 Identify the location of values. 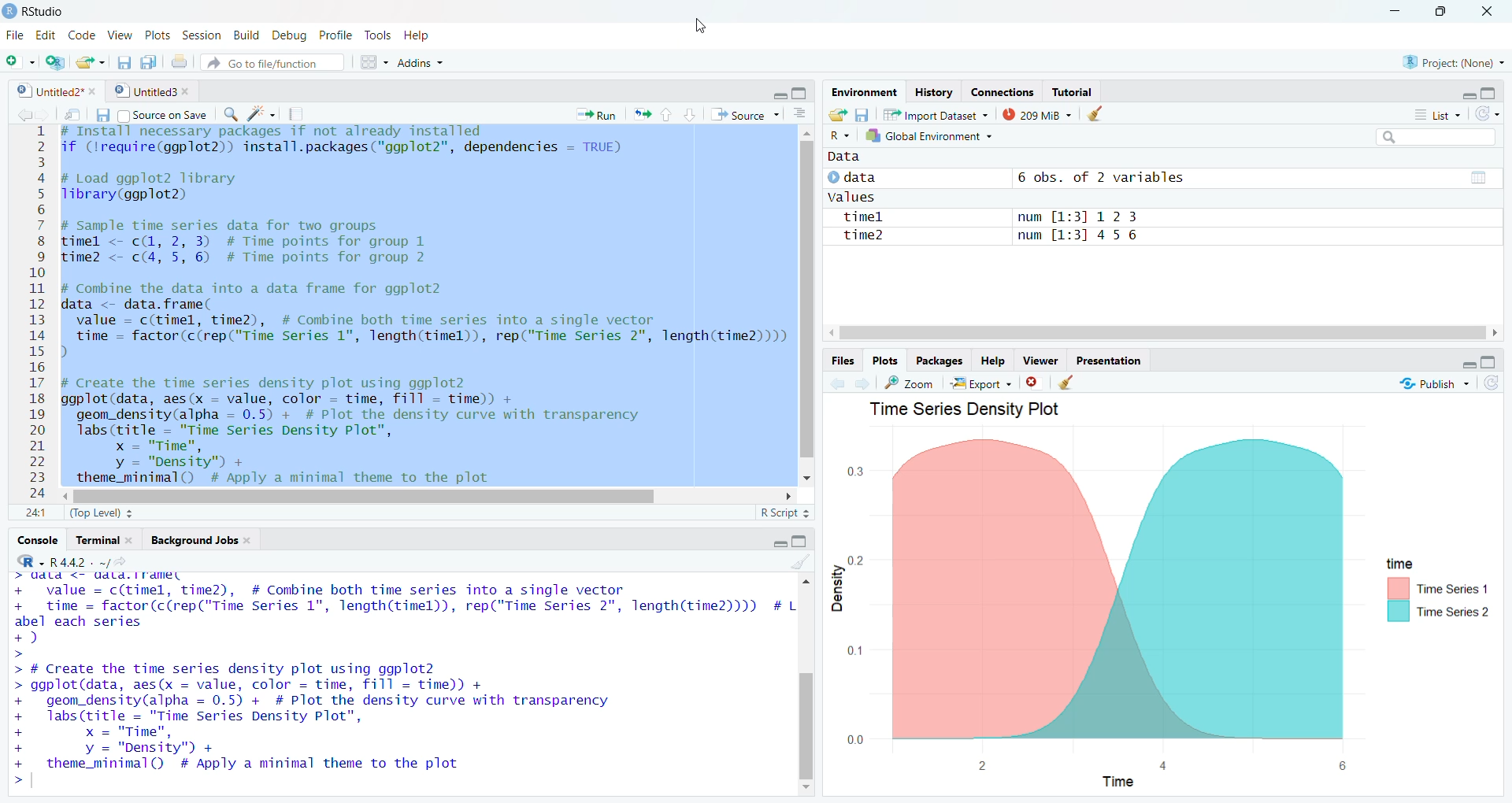
(850, 197).